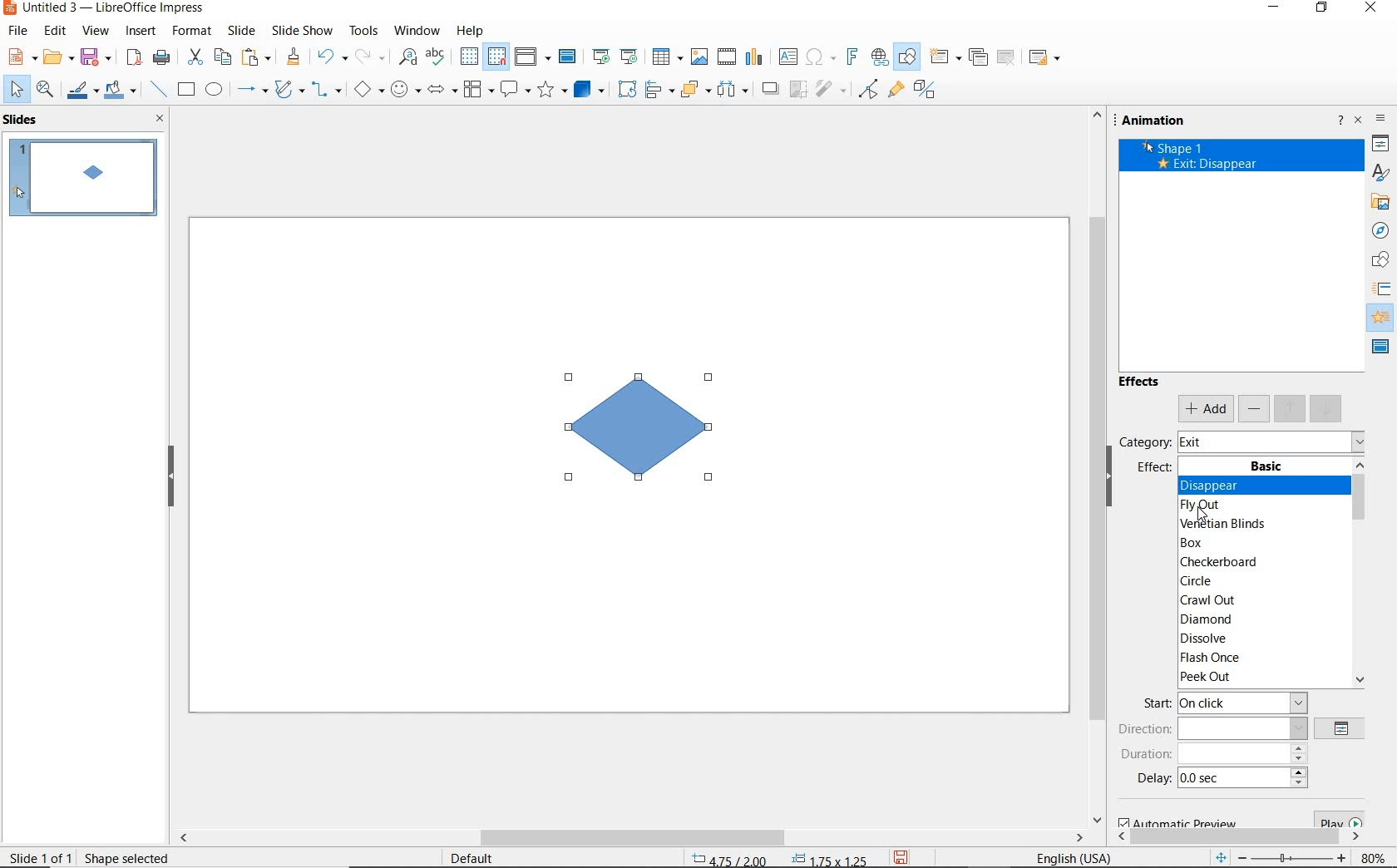 Image resolution: width=1397 pixels, height=868 pixels. I want to click on slide 1, so click(82, 180).